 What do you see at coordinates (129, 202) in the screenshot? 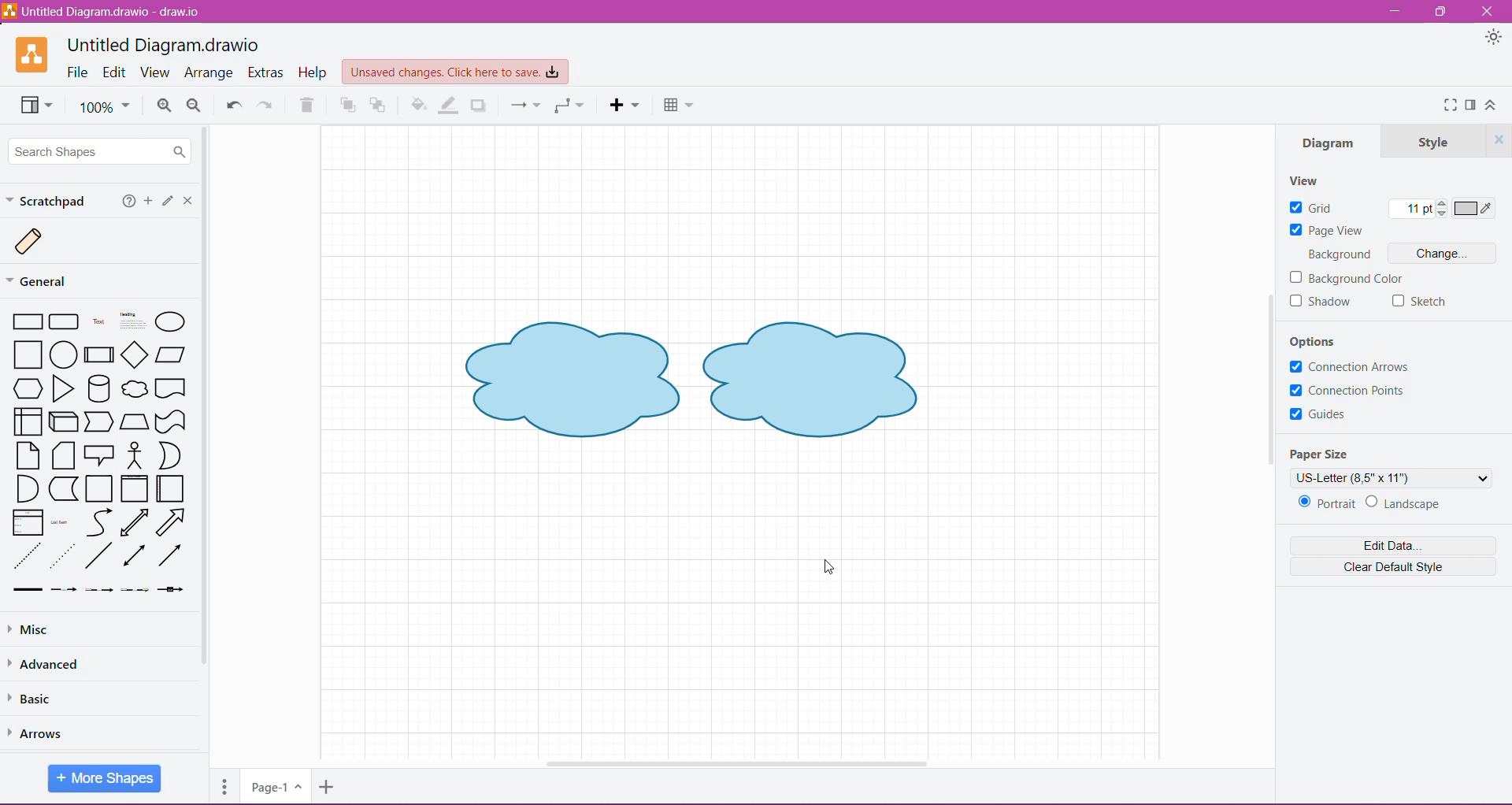
I see `Help` at bounding box center [129, 202].